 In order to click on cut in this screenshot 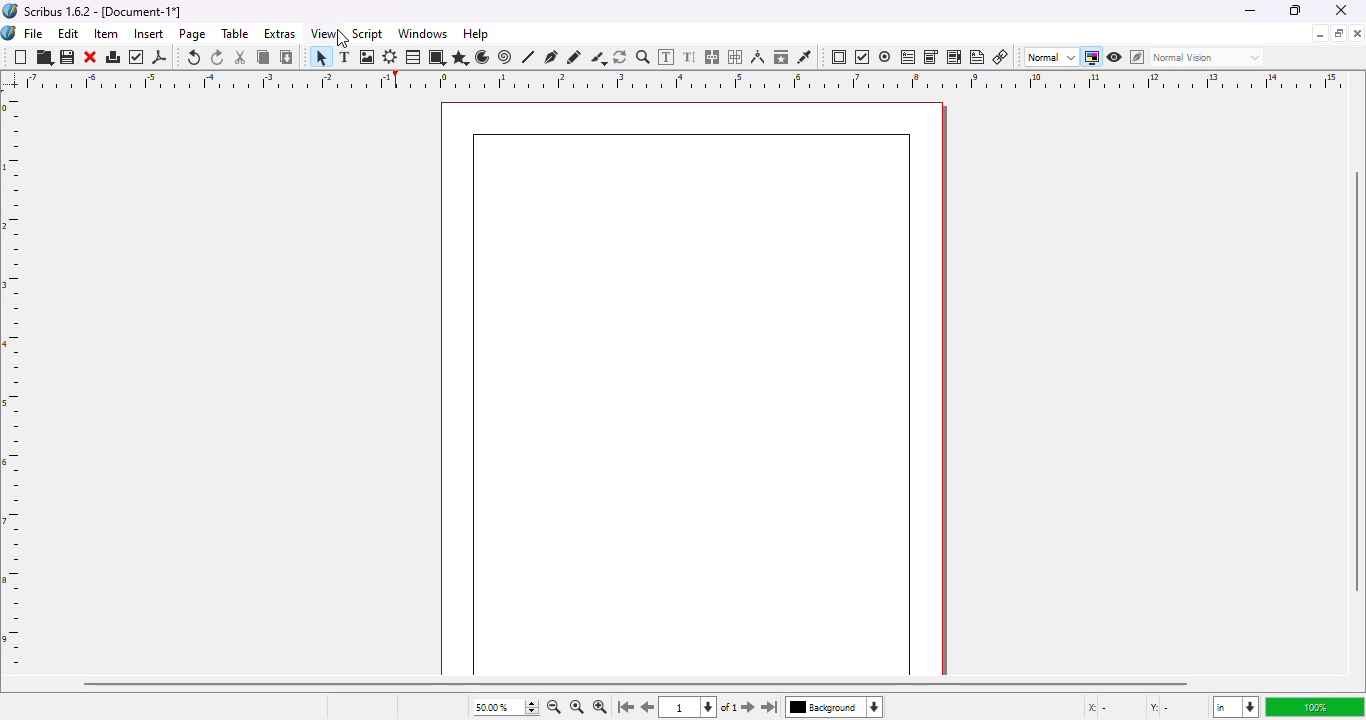, I will do `click(241, 57)`.